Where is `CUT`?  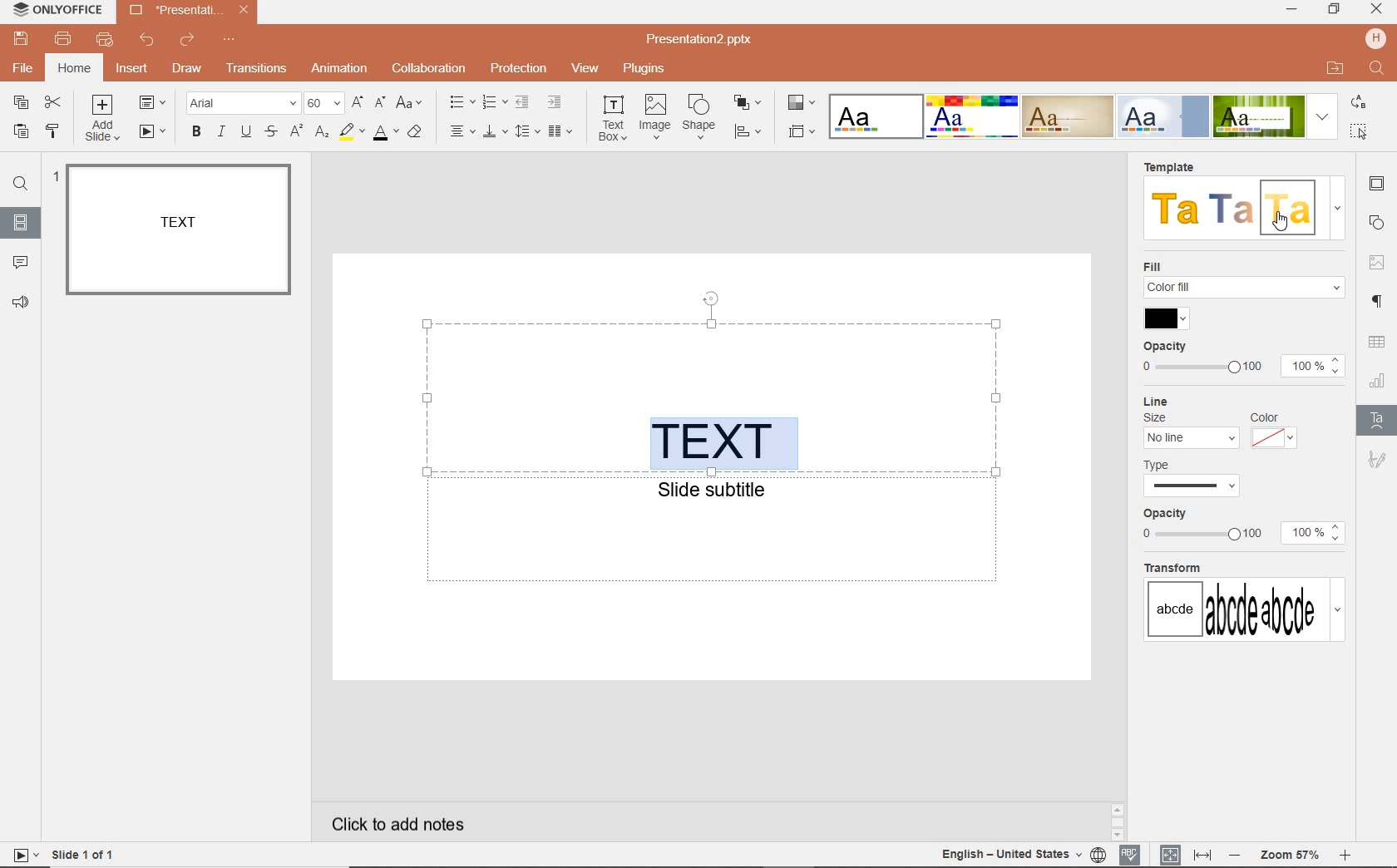
CUT is located at coordinates (54, 104).